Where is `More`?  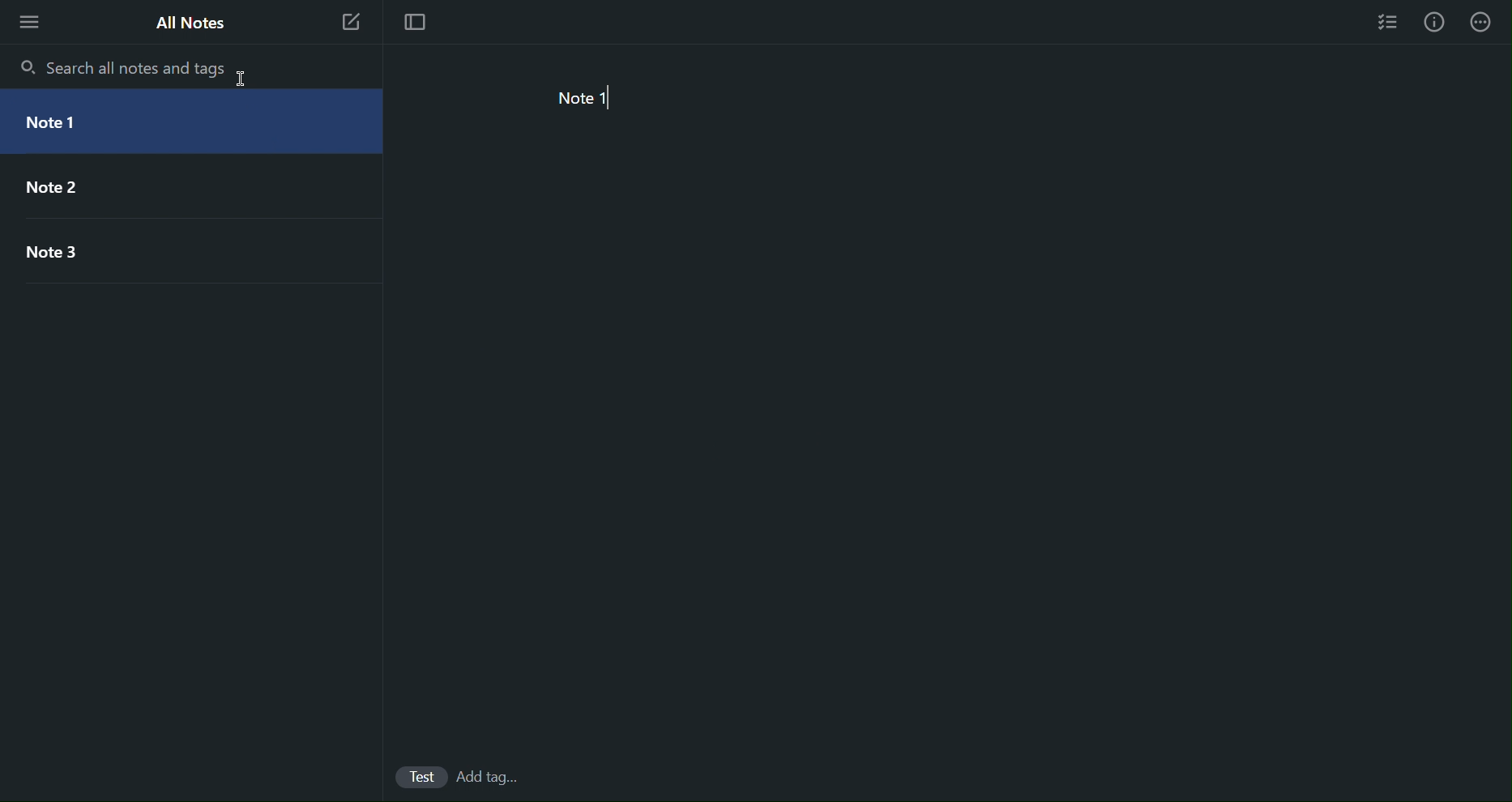 More is located at coordinates (30, 22).